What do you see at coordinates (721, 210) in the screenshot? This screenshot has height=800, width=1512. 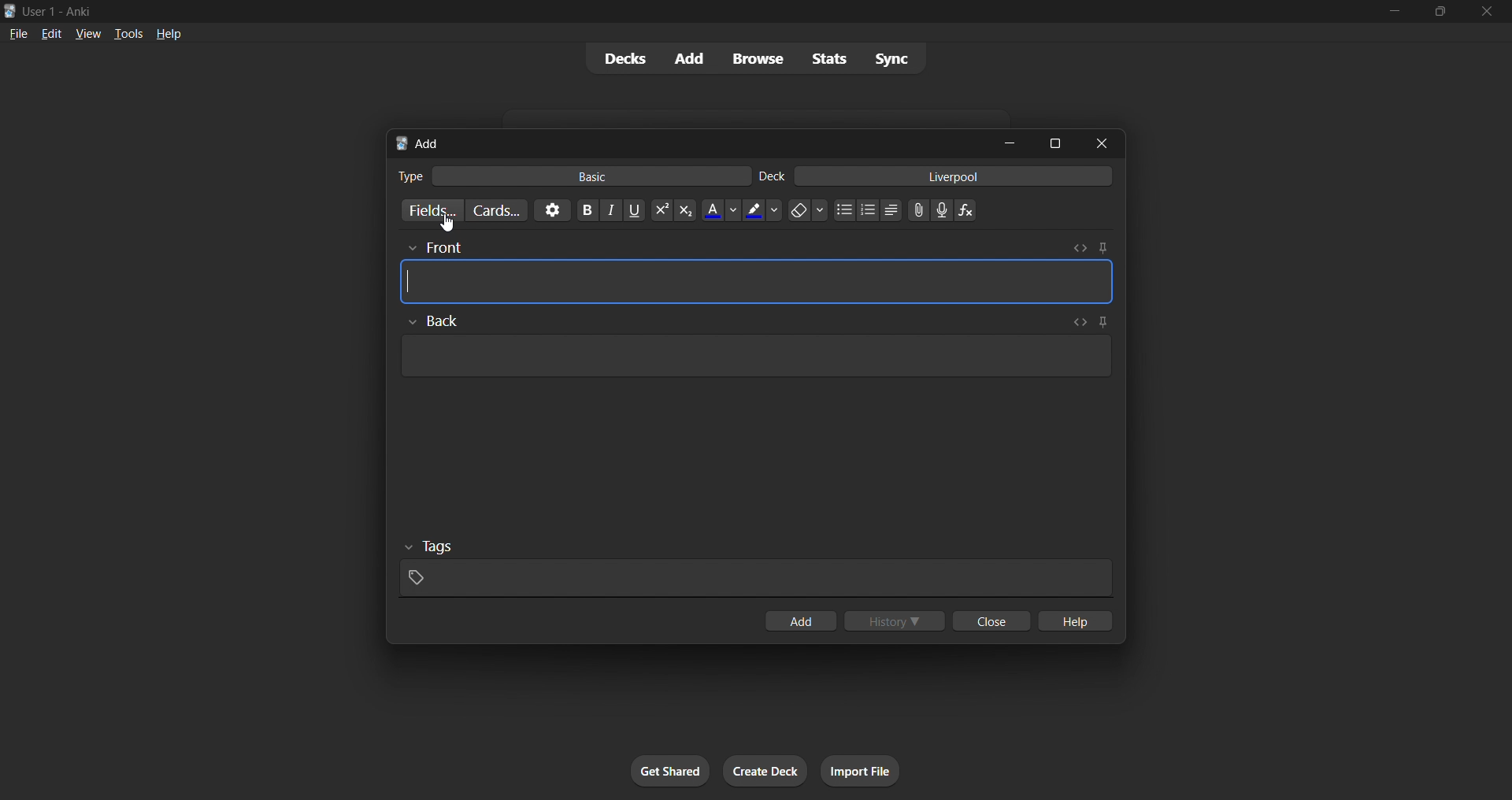 I see `Text color options` at bounding box center [721, 210].